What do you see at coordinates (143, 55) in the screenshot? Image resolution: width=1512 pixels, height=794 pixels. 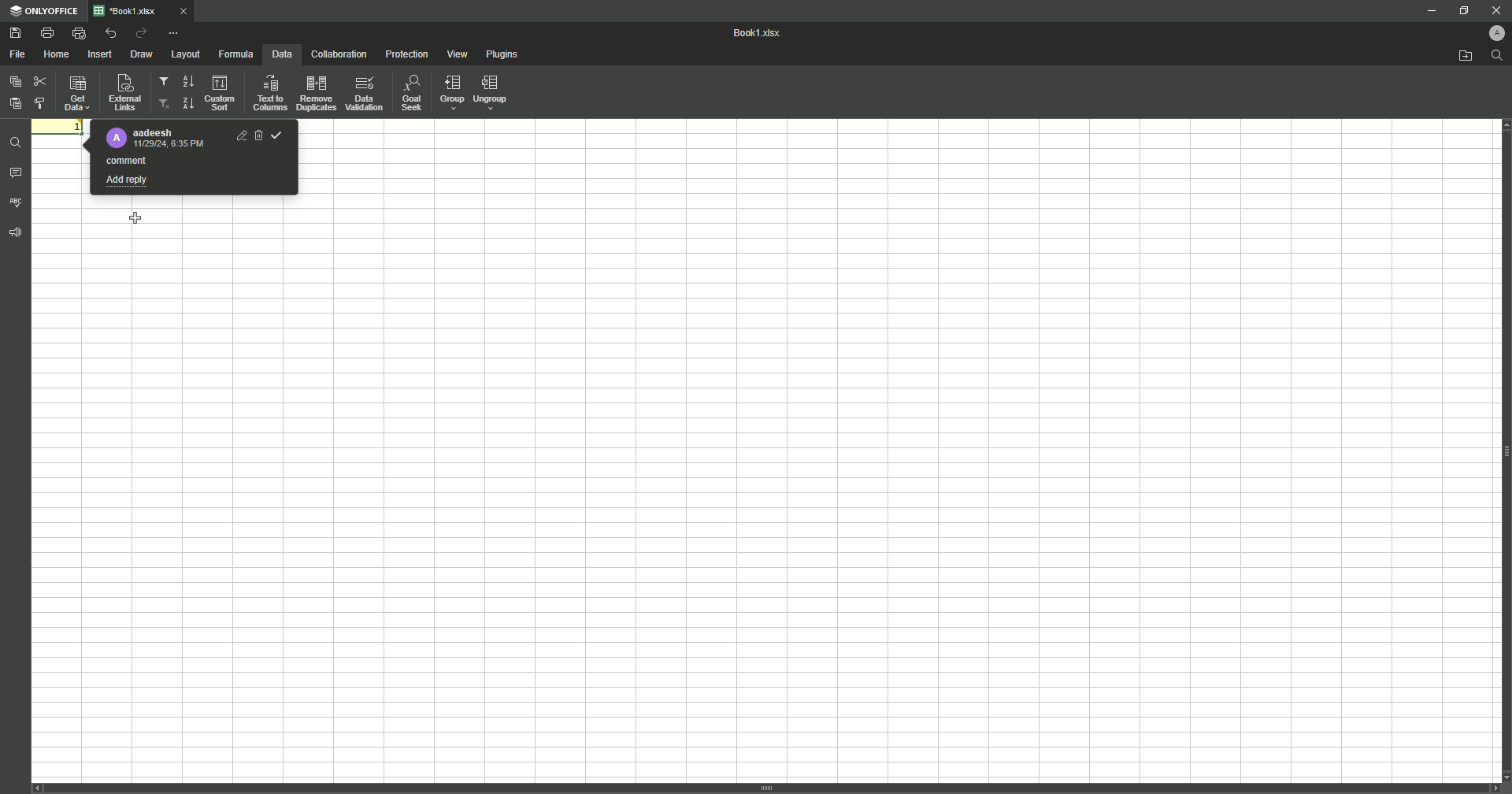 I see `Draw` at bounding box center [143, 55].